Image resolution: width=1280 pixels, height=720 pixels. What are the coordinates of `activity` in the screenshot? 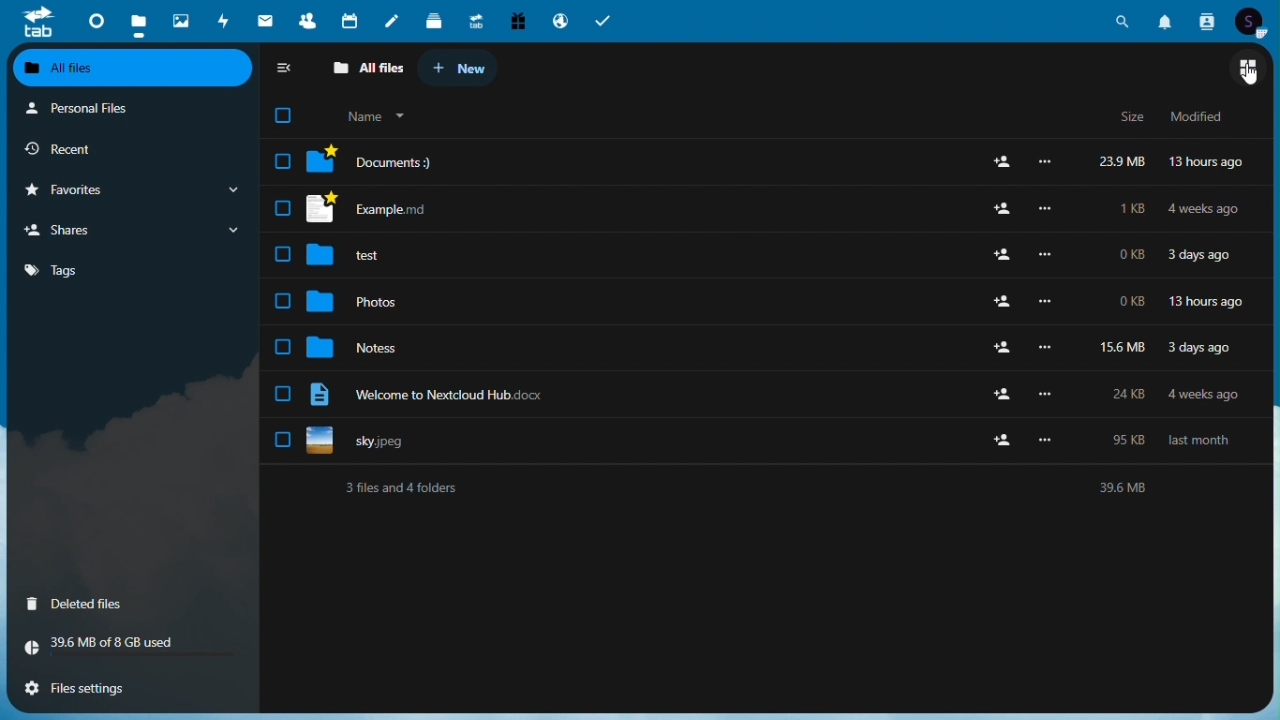 It's located at (221, 21).